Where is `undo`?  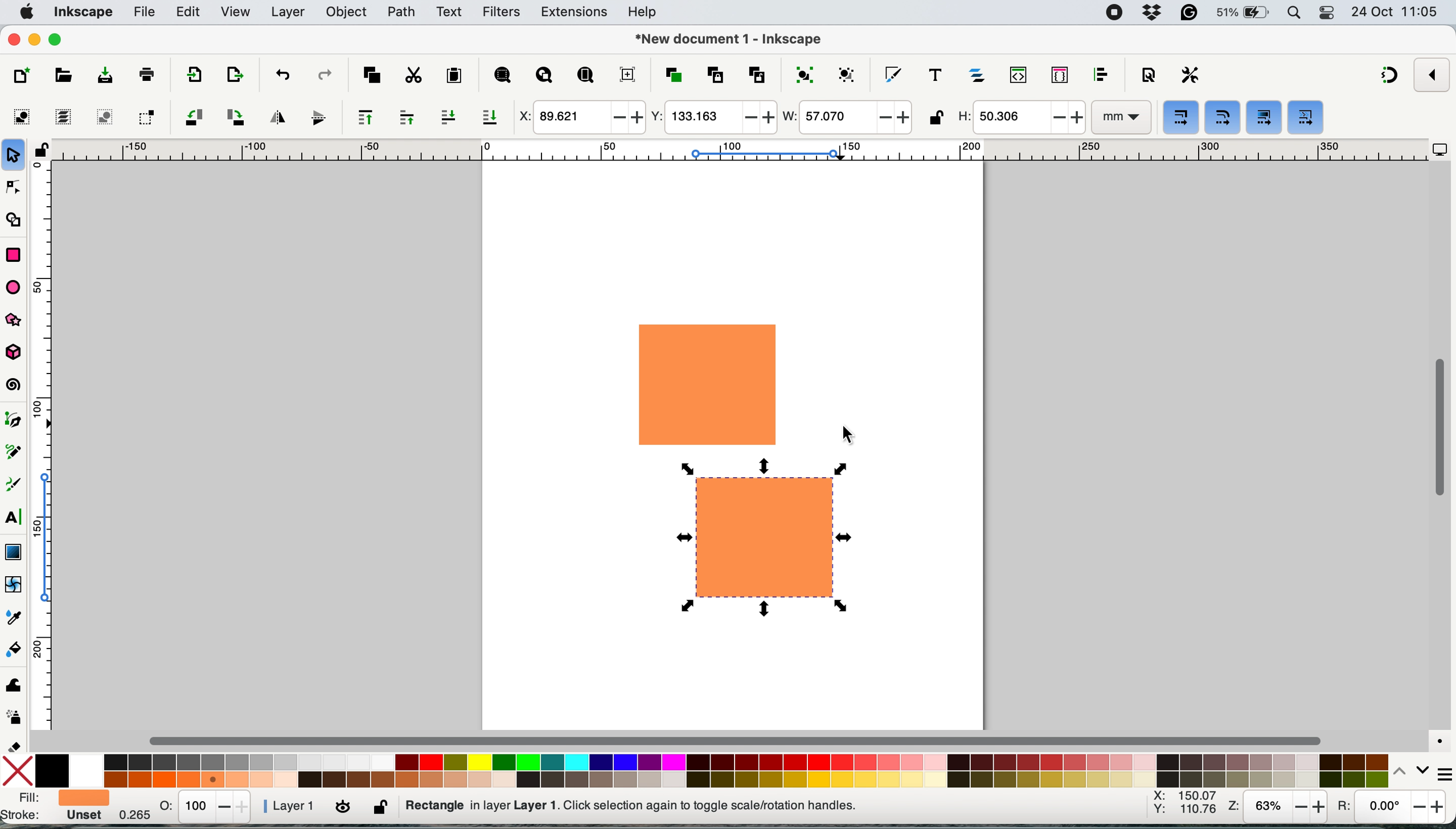 undo is located at coordinates (281, 74).